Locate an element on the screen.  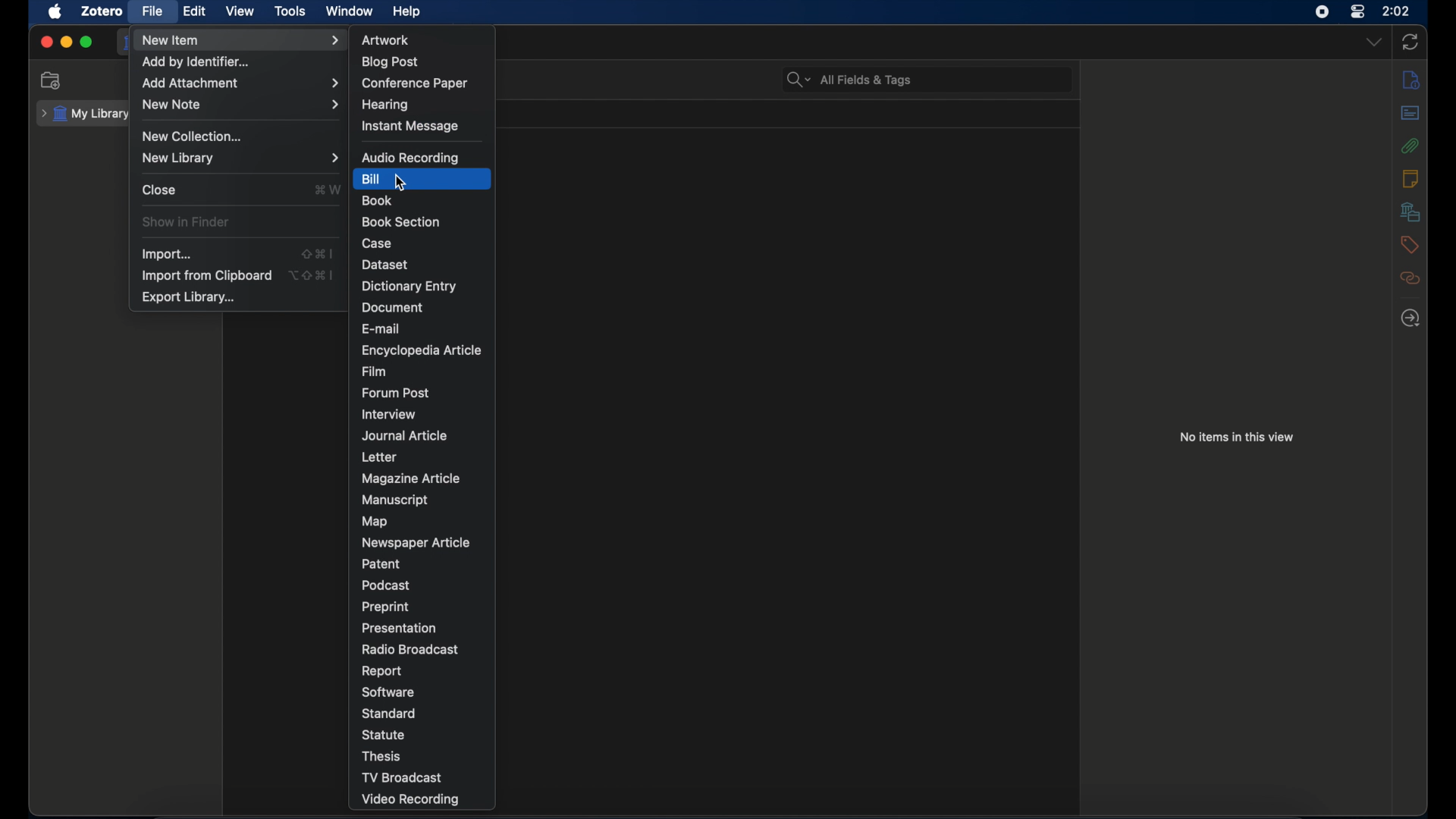
shortcut is located at coordinates (311, 275).